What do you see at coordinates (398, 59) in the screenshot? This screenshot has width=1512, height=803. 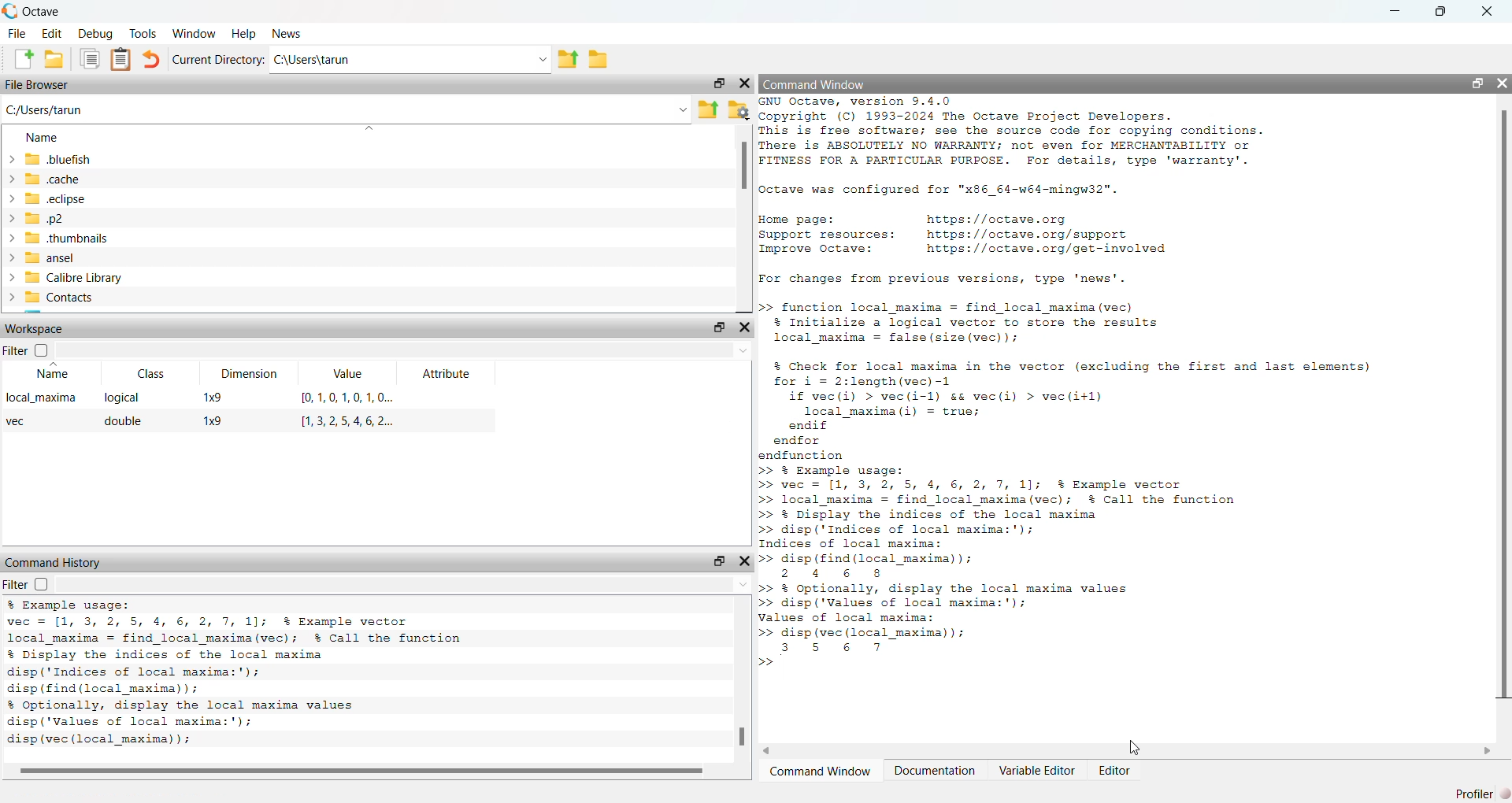 I see `C:\Users\tarun` at bounding box center [398, 59].